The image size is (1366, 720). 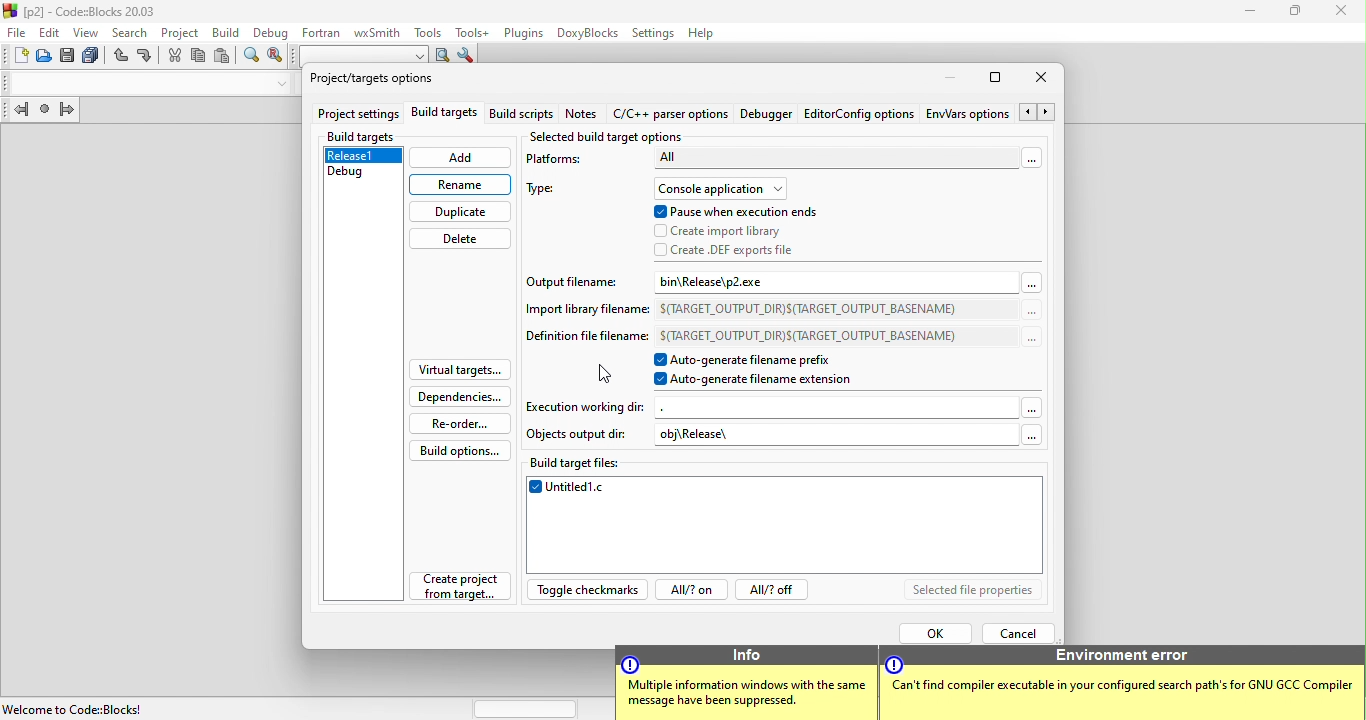 I want to click on Arrows, so click(x=1039, y=113).